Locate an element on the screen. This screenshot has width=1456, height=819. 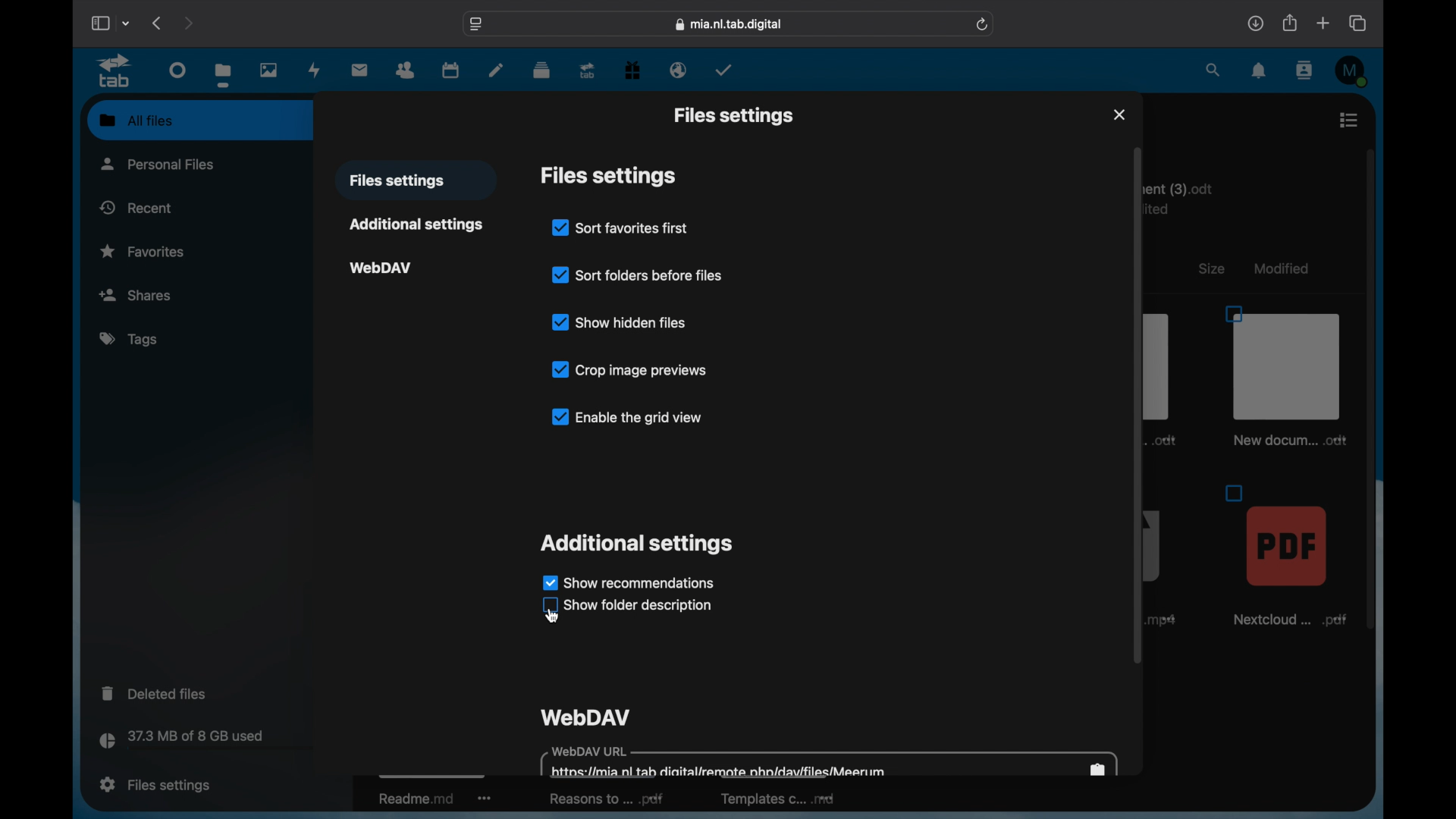
files is located at coordinates (223, 75).